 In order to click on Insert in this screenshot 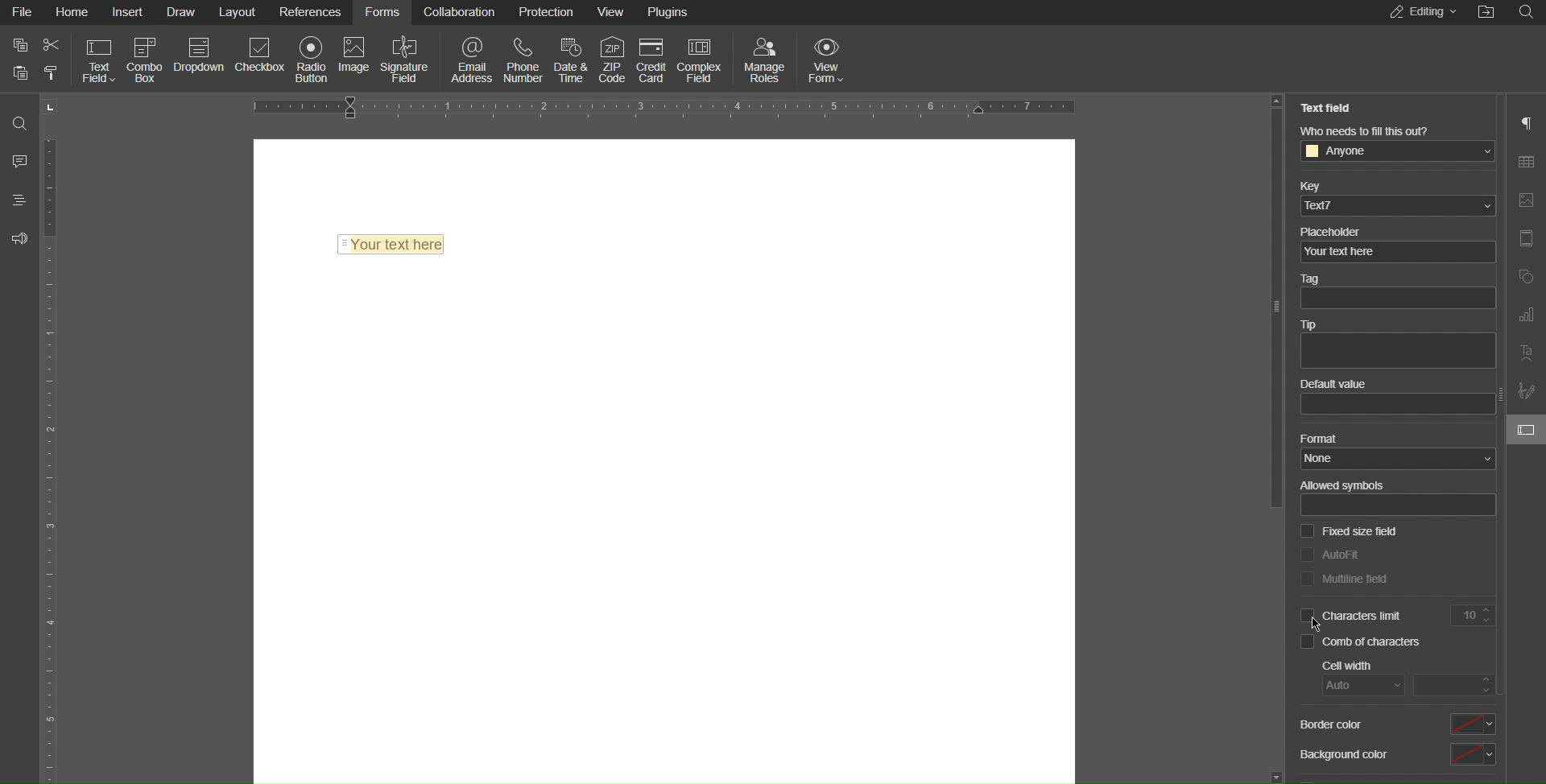, I will do `click(130, 13)`.